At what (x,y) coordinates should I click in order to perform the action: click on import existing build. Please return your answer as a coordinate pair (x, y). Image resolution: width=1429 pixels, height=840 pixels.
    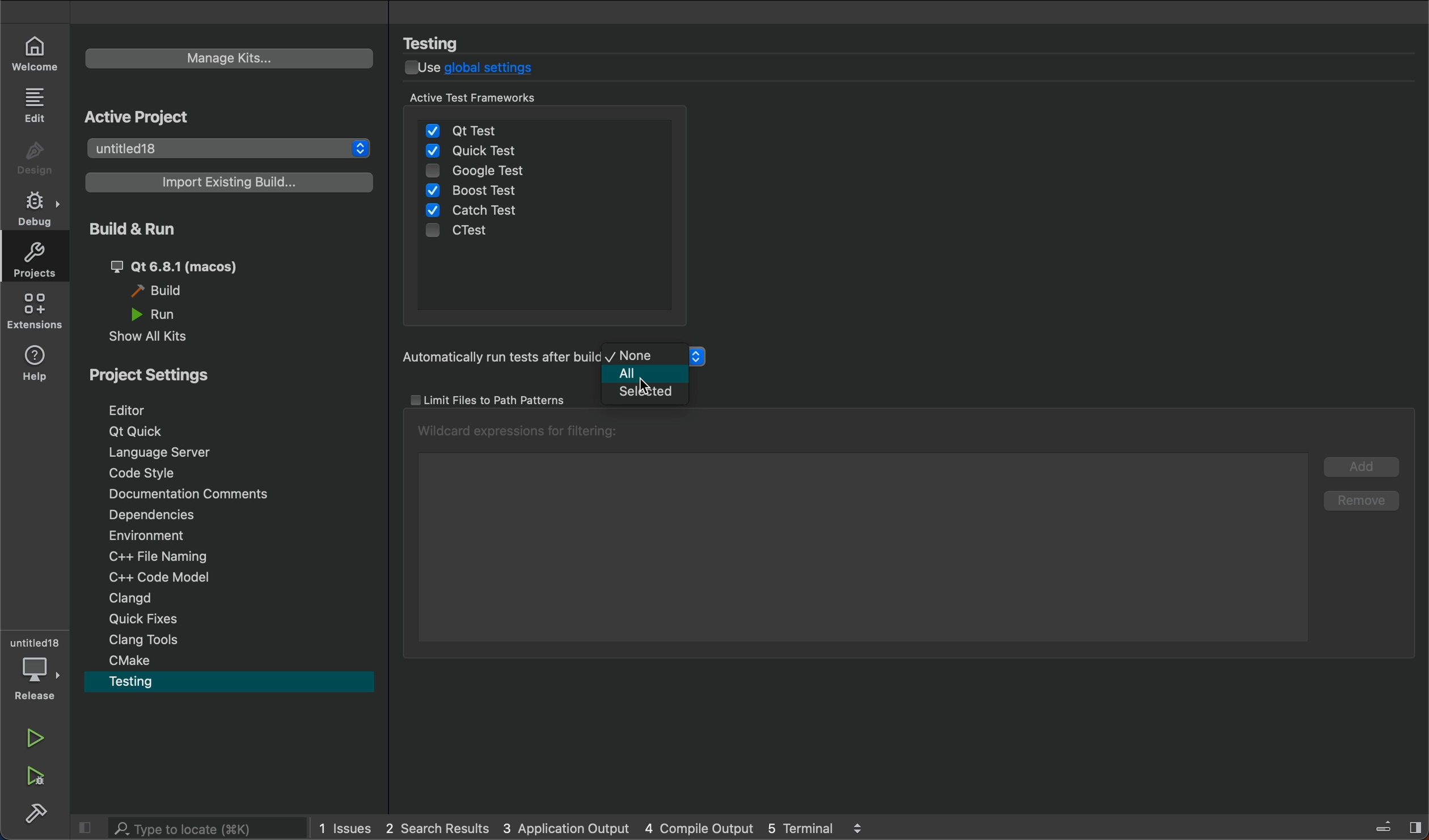
    Looking at the image, I should click on (223, 181).